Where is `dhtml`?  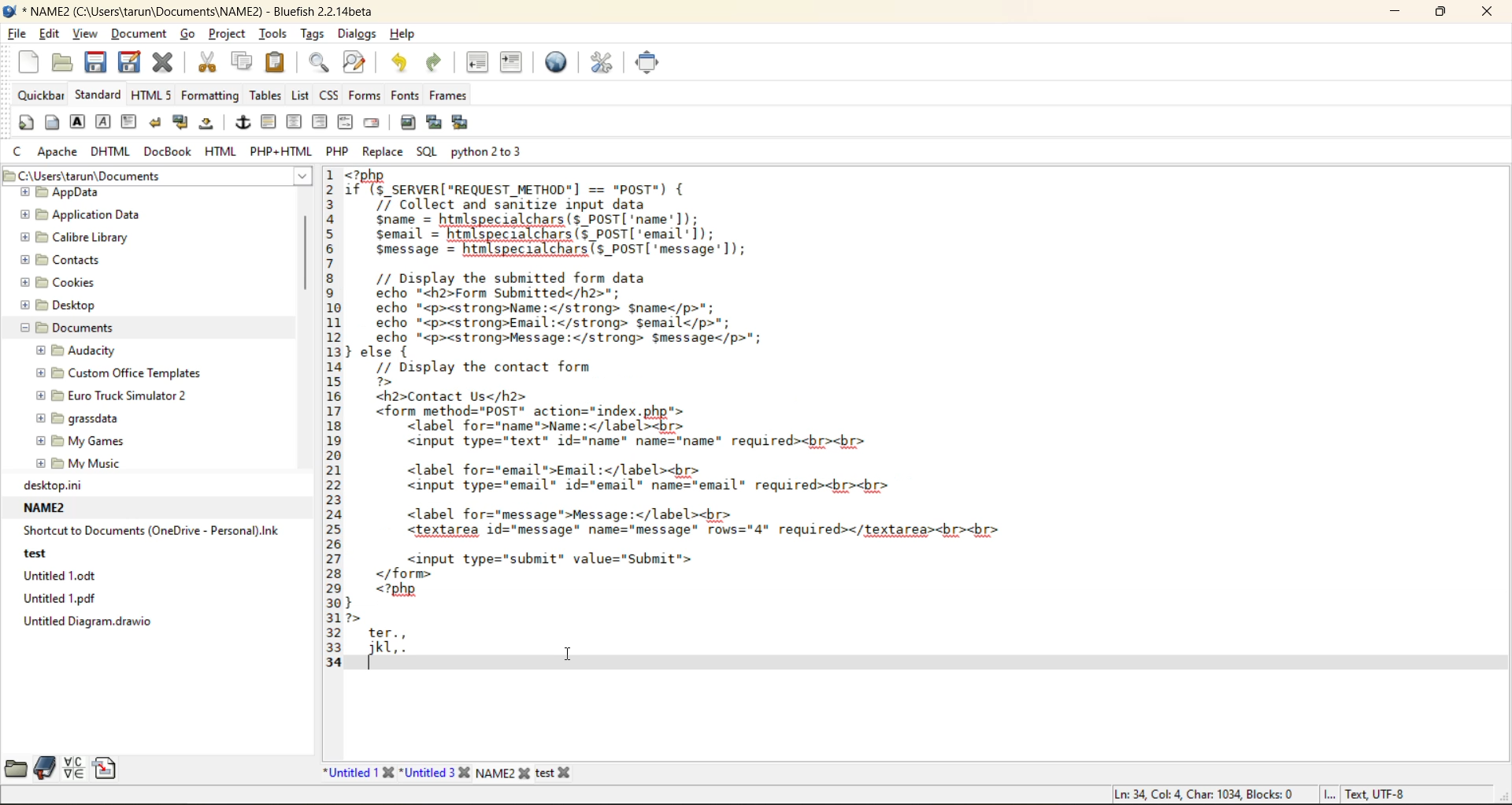 dhtml is located at coordinates (111, 150).